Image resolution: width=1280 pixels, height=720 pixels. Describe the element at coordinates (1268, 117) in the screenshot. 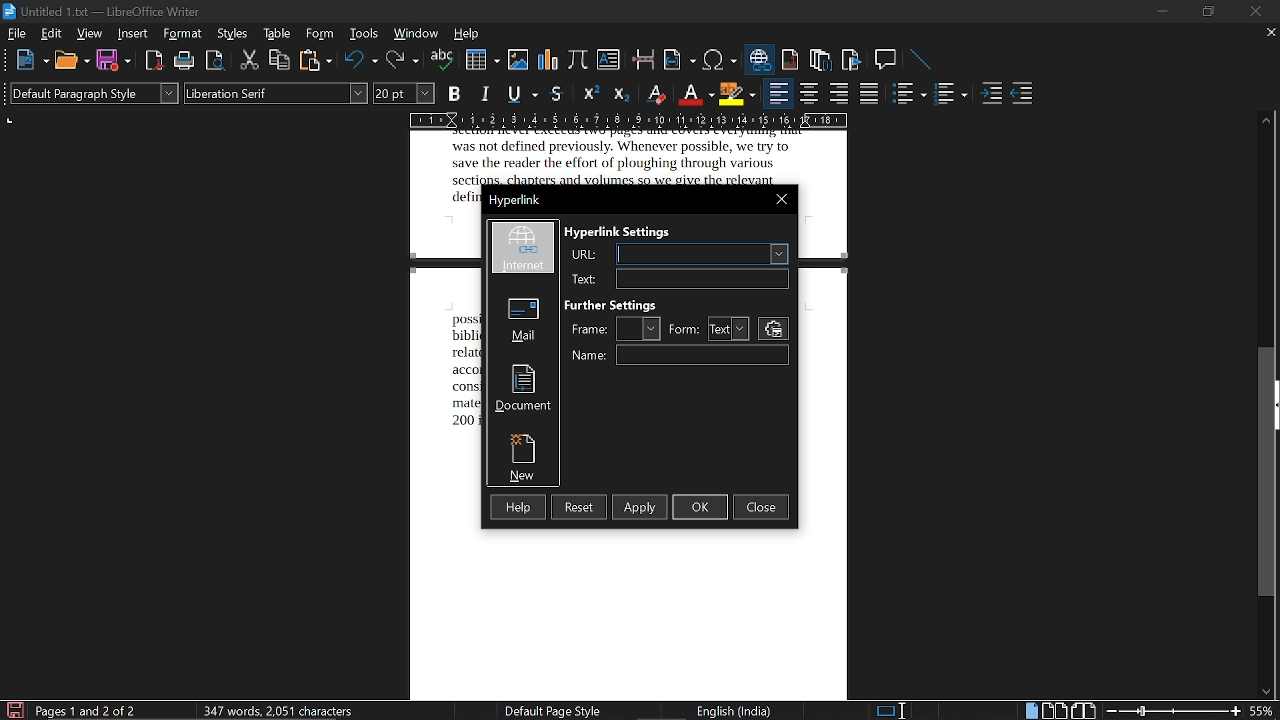

I see `move up` at that location.